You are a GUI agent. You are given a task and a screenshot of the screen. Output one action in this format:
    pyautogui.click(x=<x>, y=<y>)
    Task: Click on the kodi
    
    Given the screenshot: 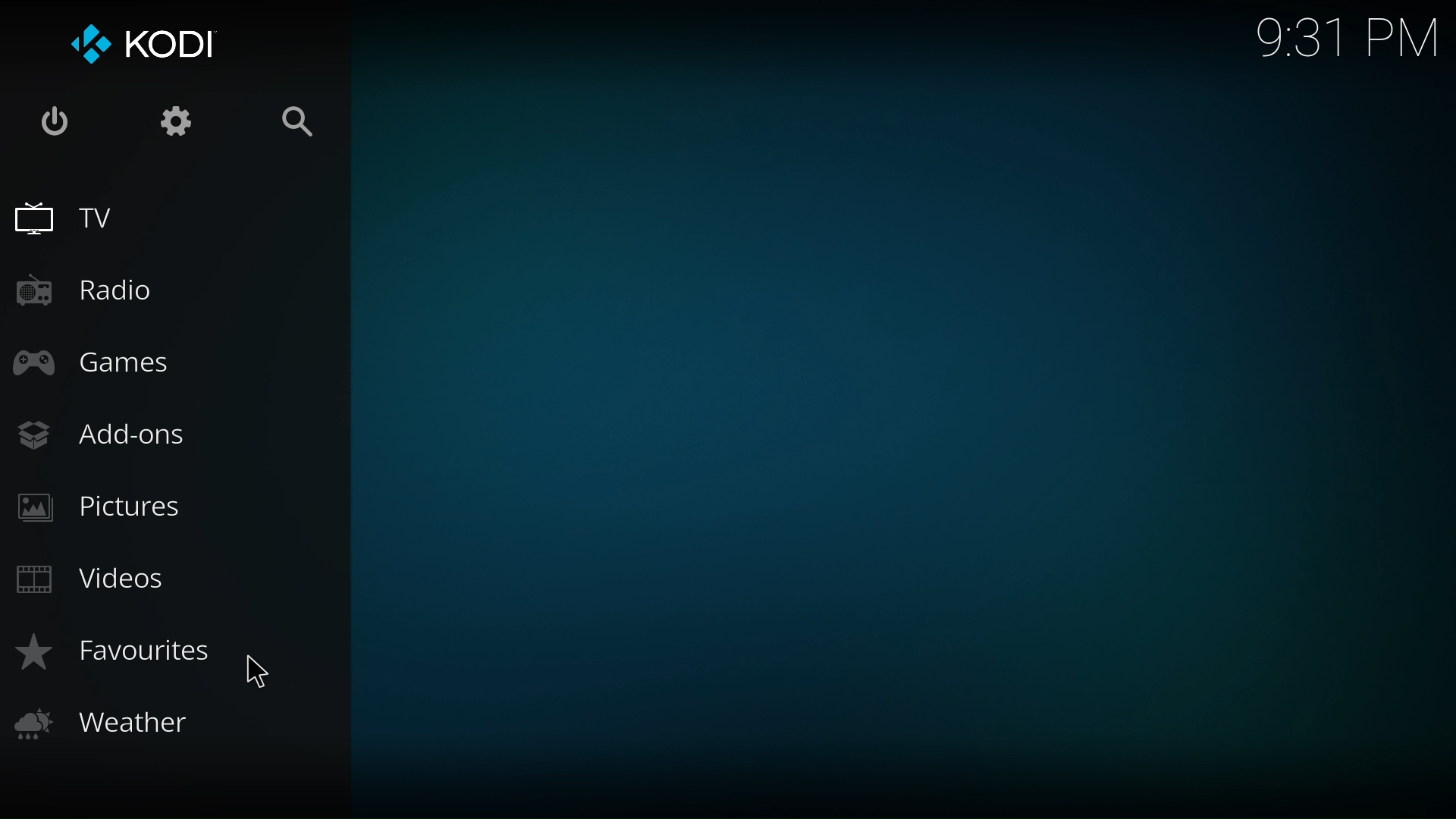 What is the action you would take?
    pyautogui.click(x=140, y=49)
    